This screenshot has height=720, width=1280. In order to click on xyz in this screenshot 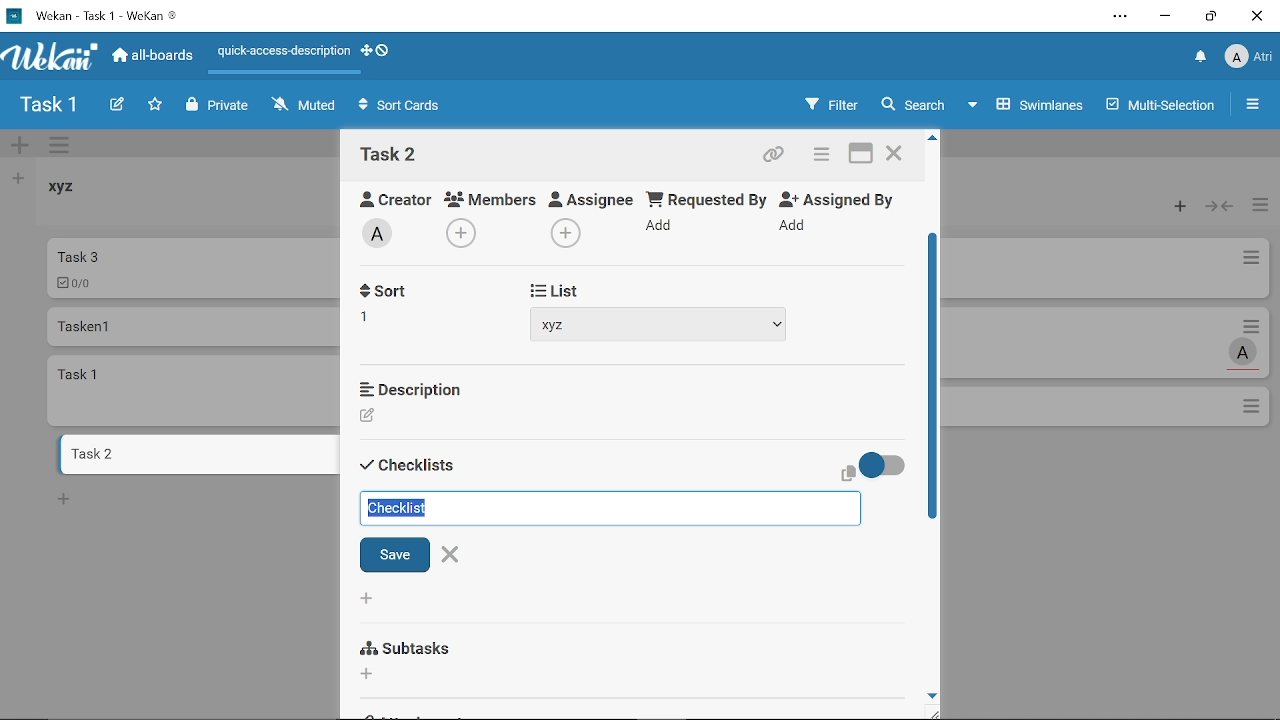, I will do `click(660, 325)`.